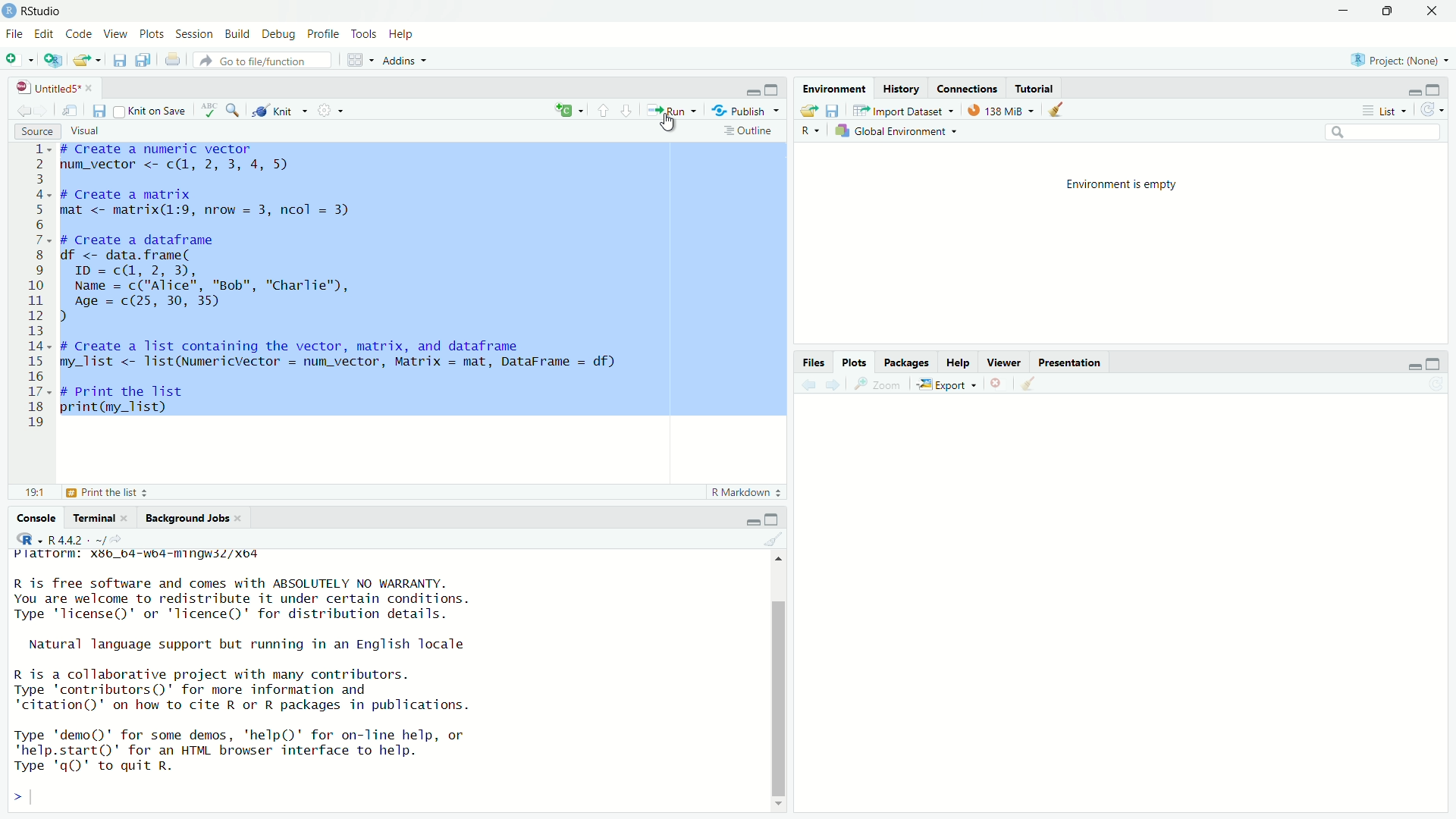 The height and width of the screenshot is (819, 1456). I want to click on Session, so click(196, 33).